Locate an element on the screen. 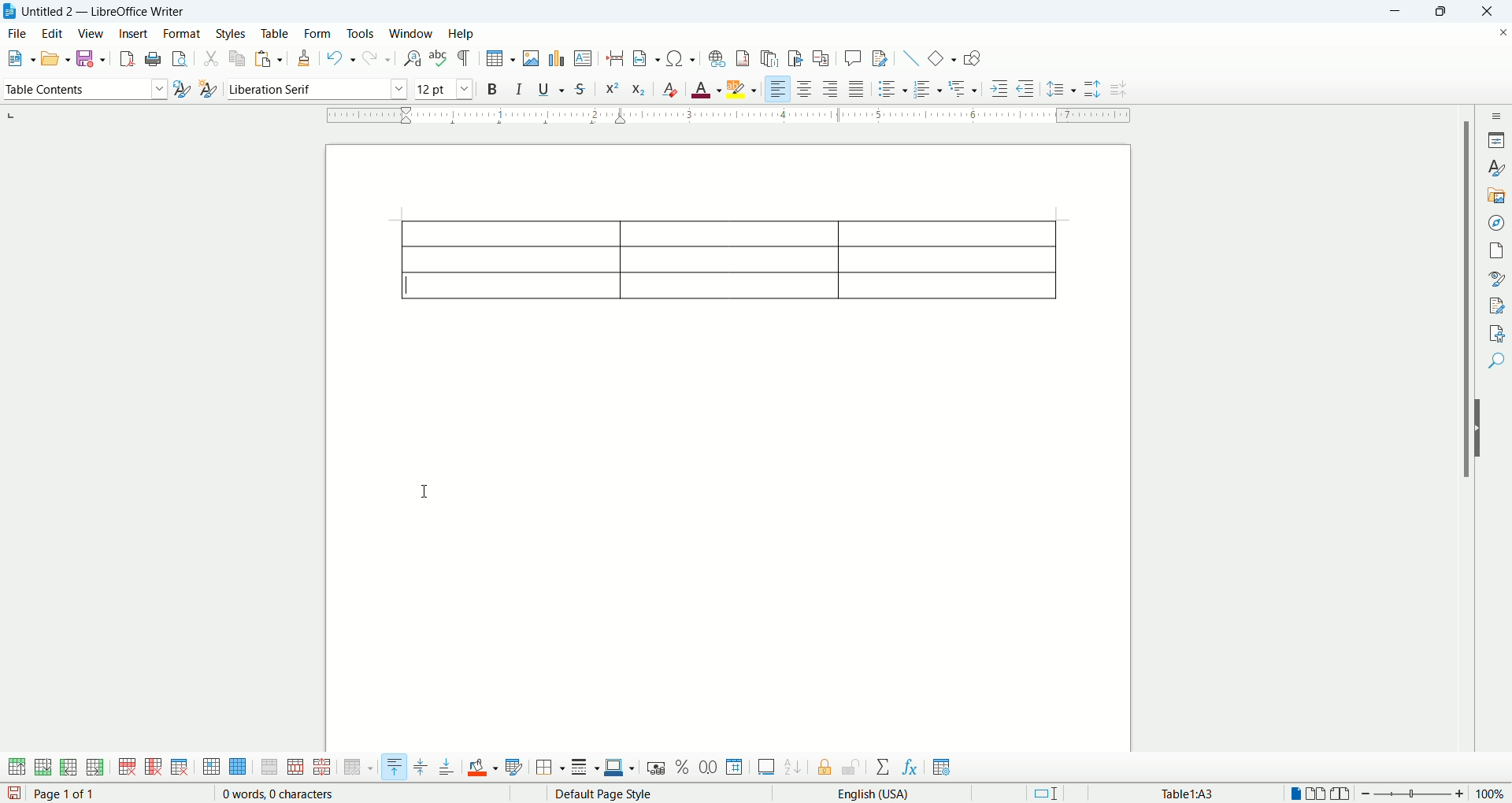 The height and width of the screenshot is (803, 1512). currency format is located at coordinates (657, 770).